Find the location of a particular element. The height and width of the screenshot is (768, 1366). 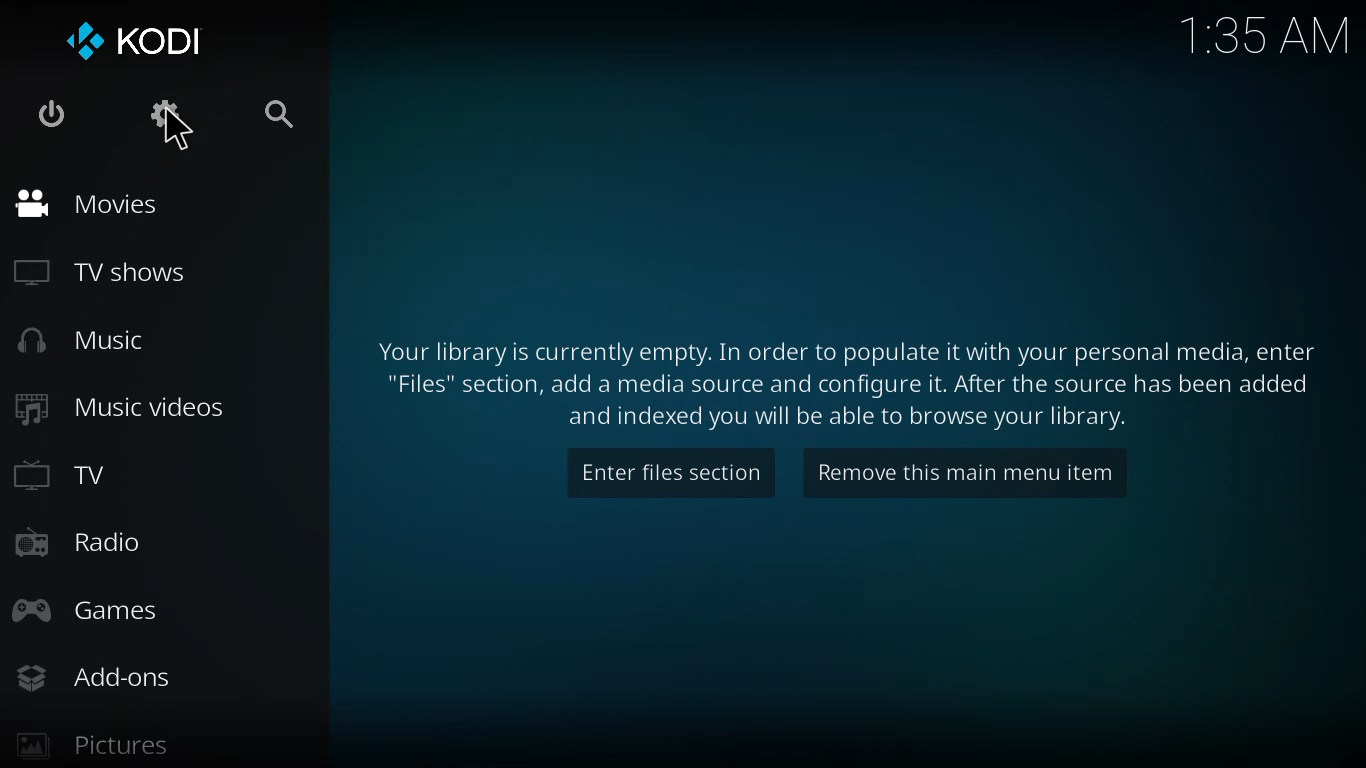

settings is located at coordinates (158, 110).